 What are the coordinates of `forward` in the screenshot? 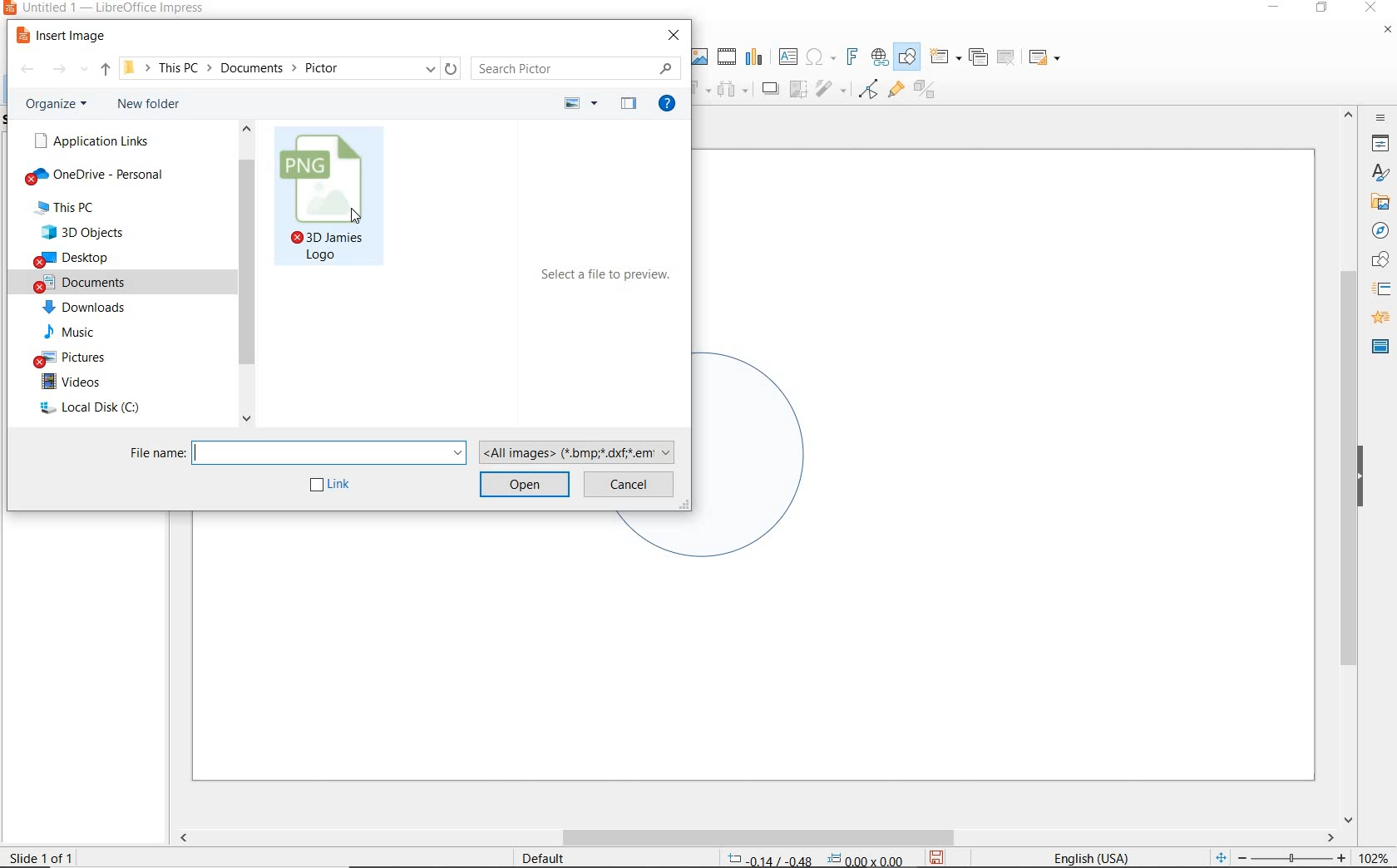 It's located at (70, 72).